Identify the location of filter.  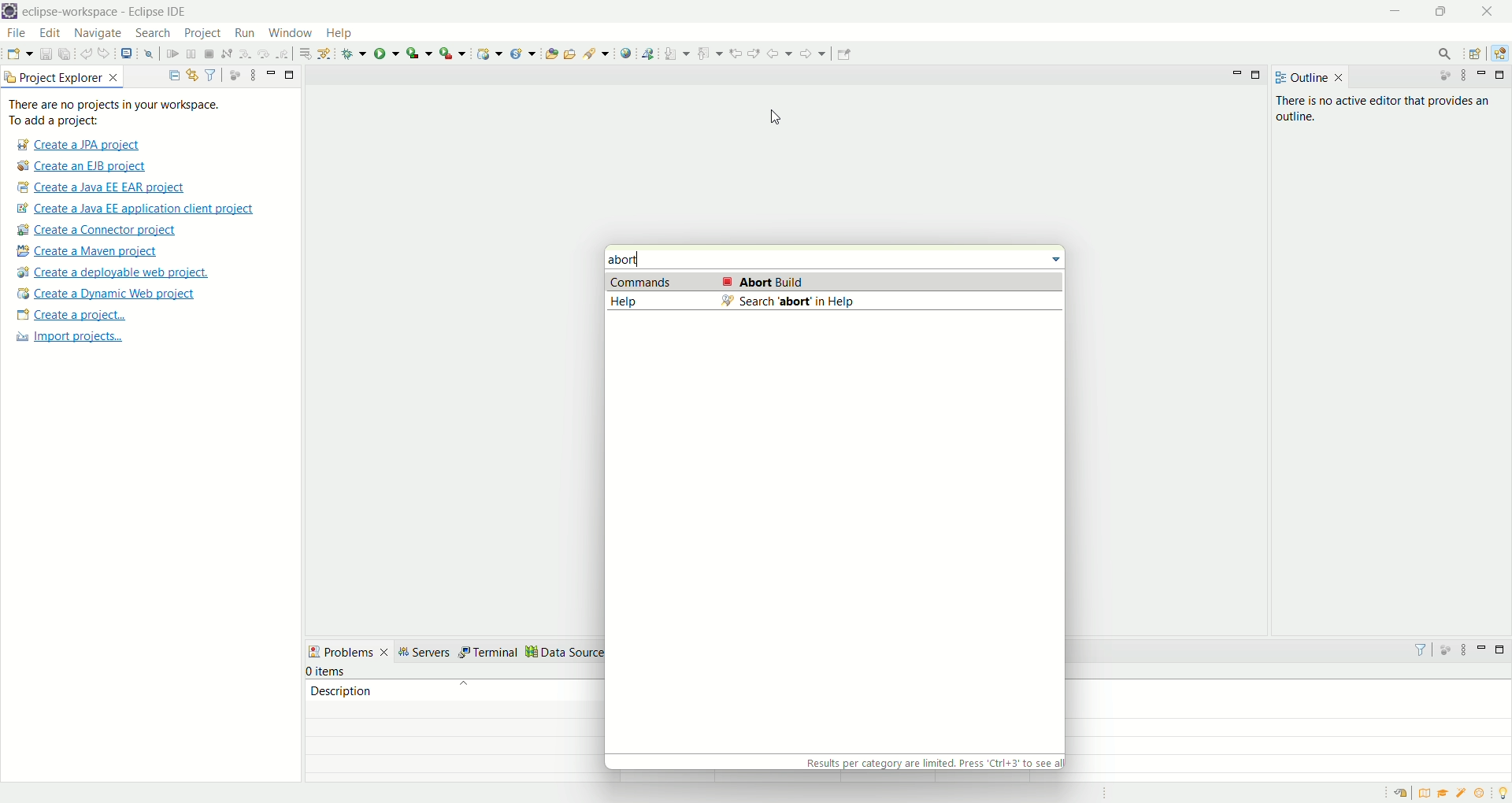
(1421, 651).